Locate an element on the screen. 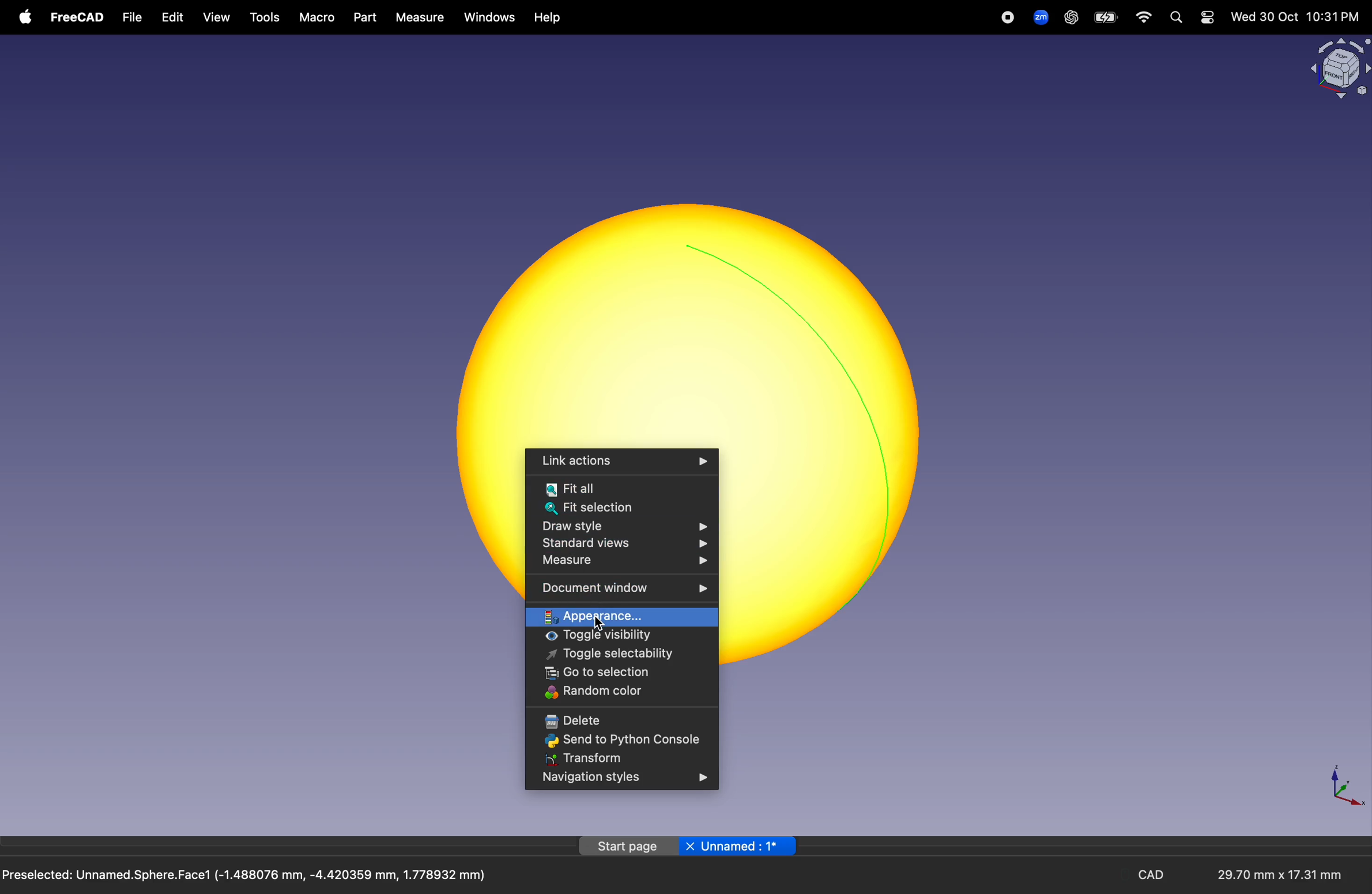  tools is located at coordinates (266, 18).